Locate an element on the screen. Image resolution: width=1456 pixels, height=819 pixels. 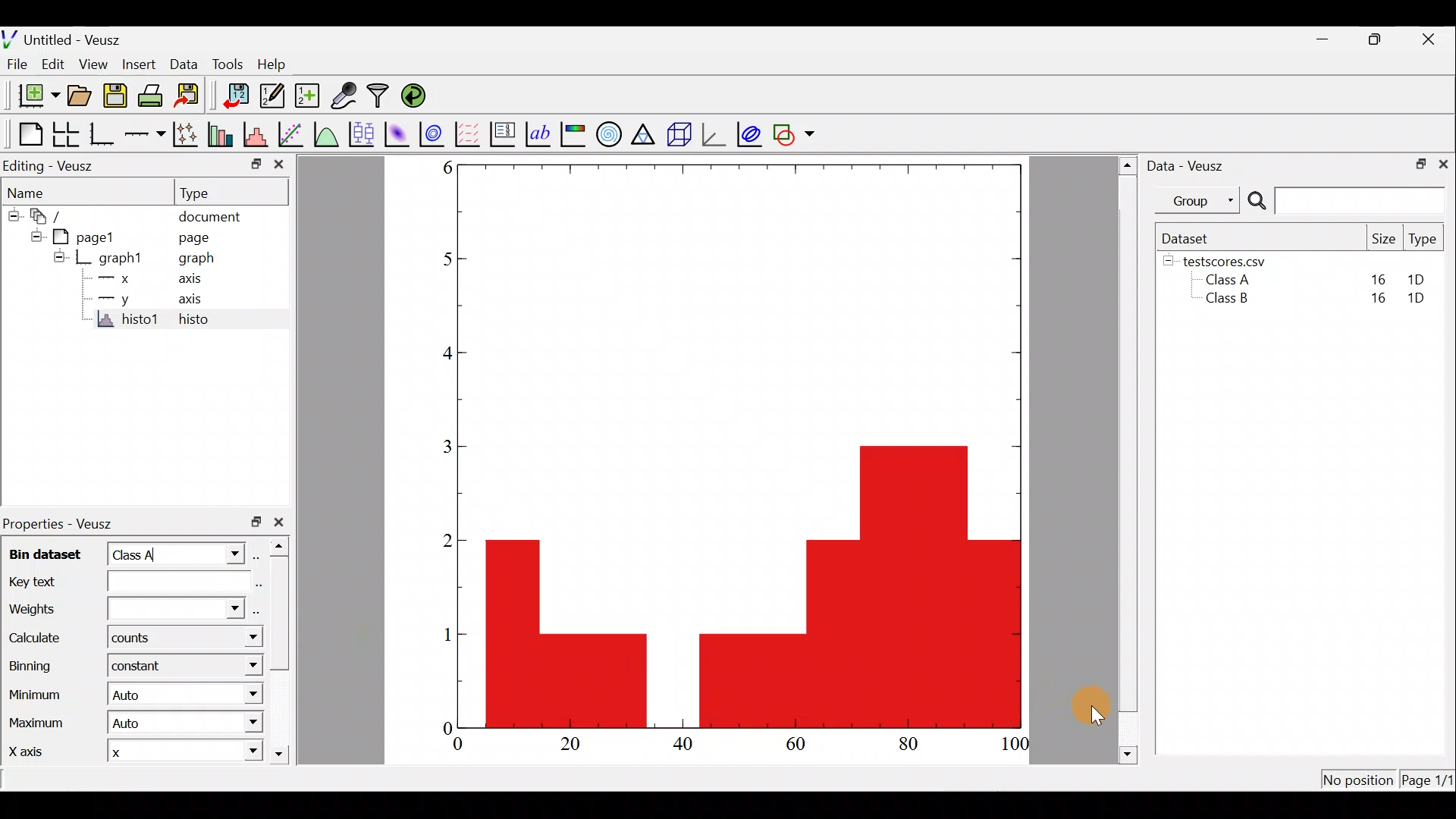
close is located at coordinates (281, 522).